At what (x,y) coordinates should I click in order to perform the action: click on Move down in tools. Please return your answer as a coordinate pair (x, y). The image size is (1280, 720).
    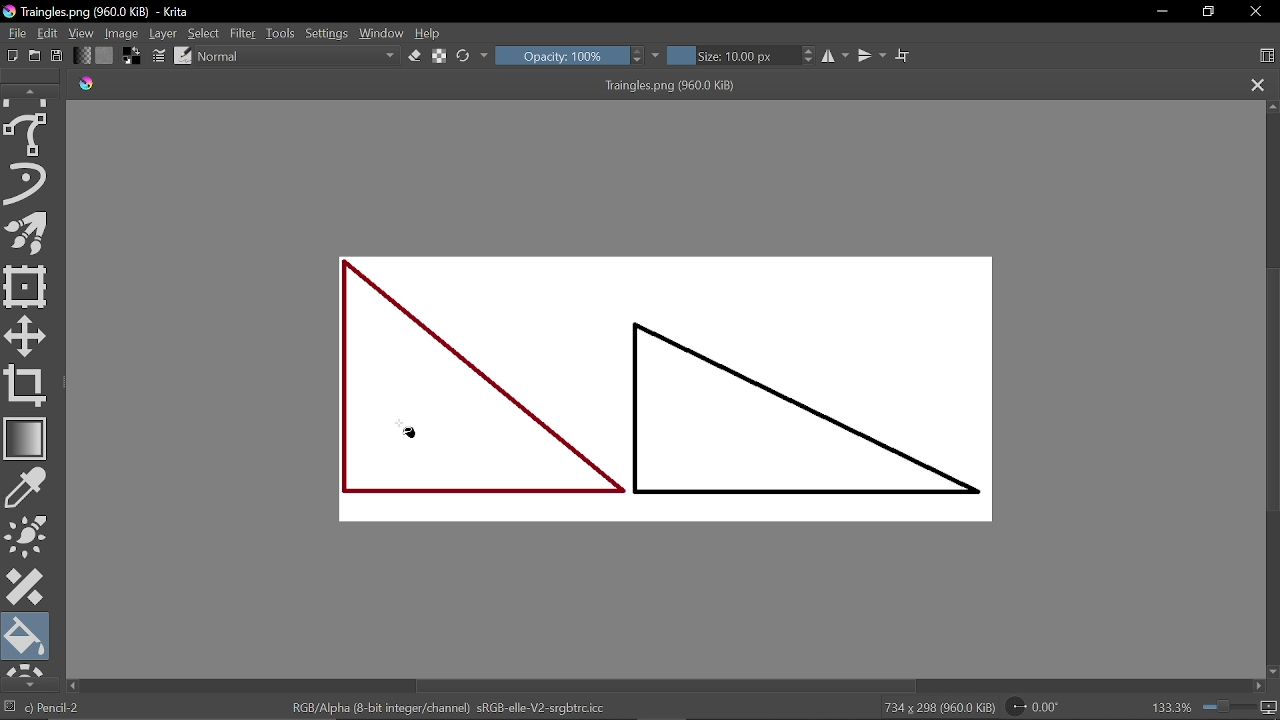
    Looking at the image, I should click on (26, 683).